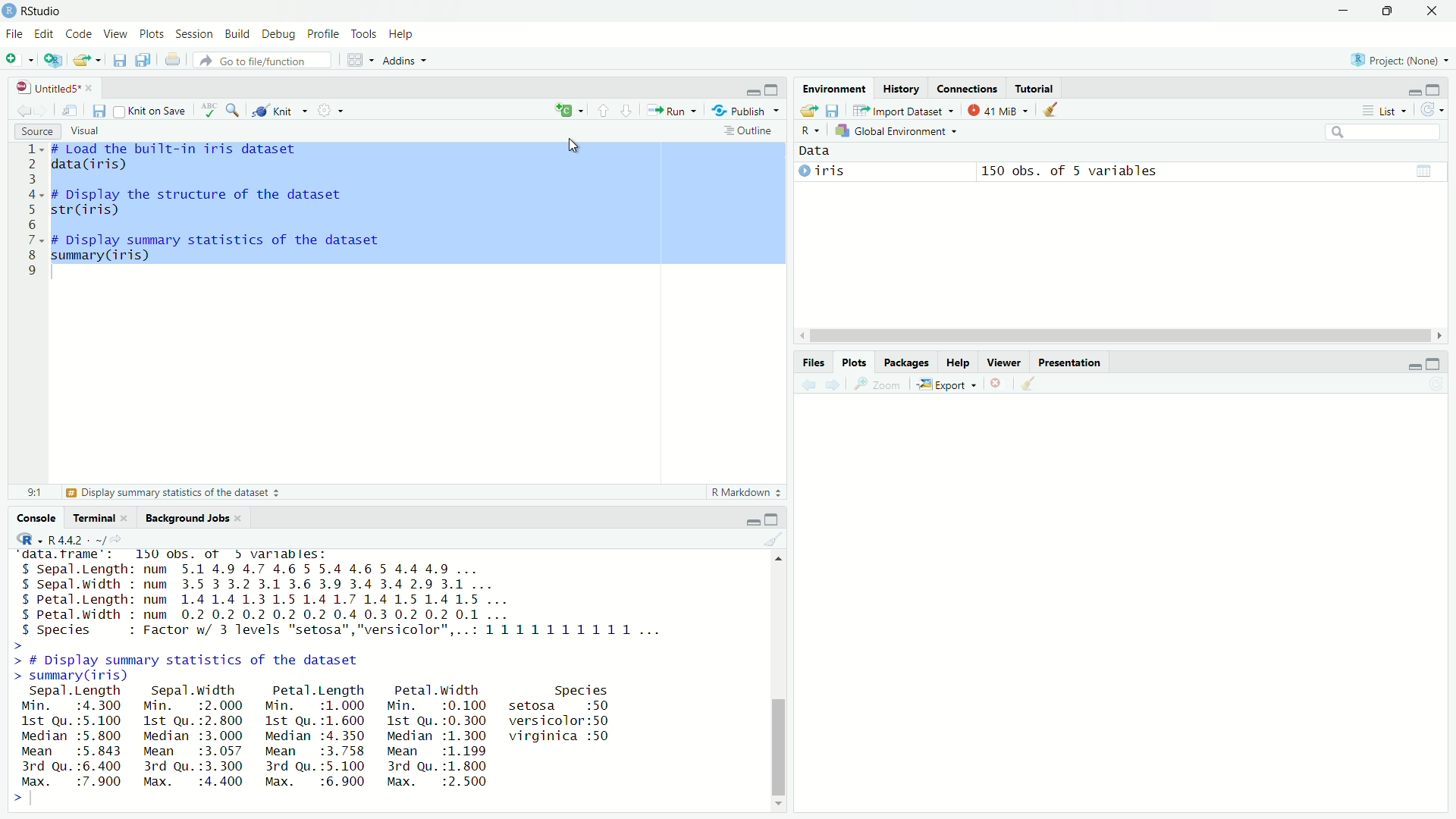 The height and width of the screenshot is (819, 1456). What do you see at coordinates (808, 384) in the screenshot?
I see `Previous plot` at bounding box center [808, 384].